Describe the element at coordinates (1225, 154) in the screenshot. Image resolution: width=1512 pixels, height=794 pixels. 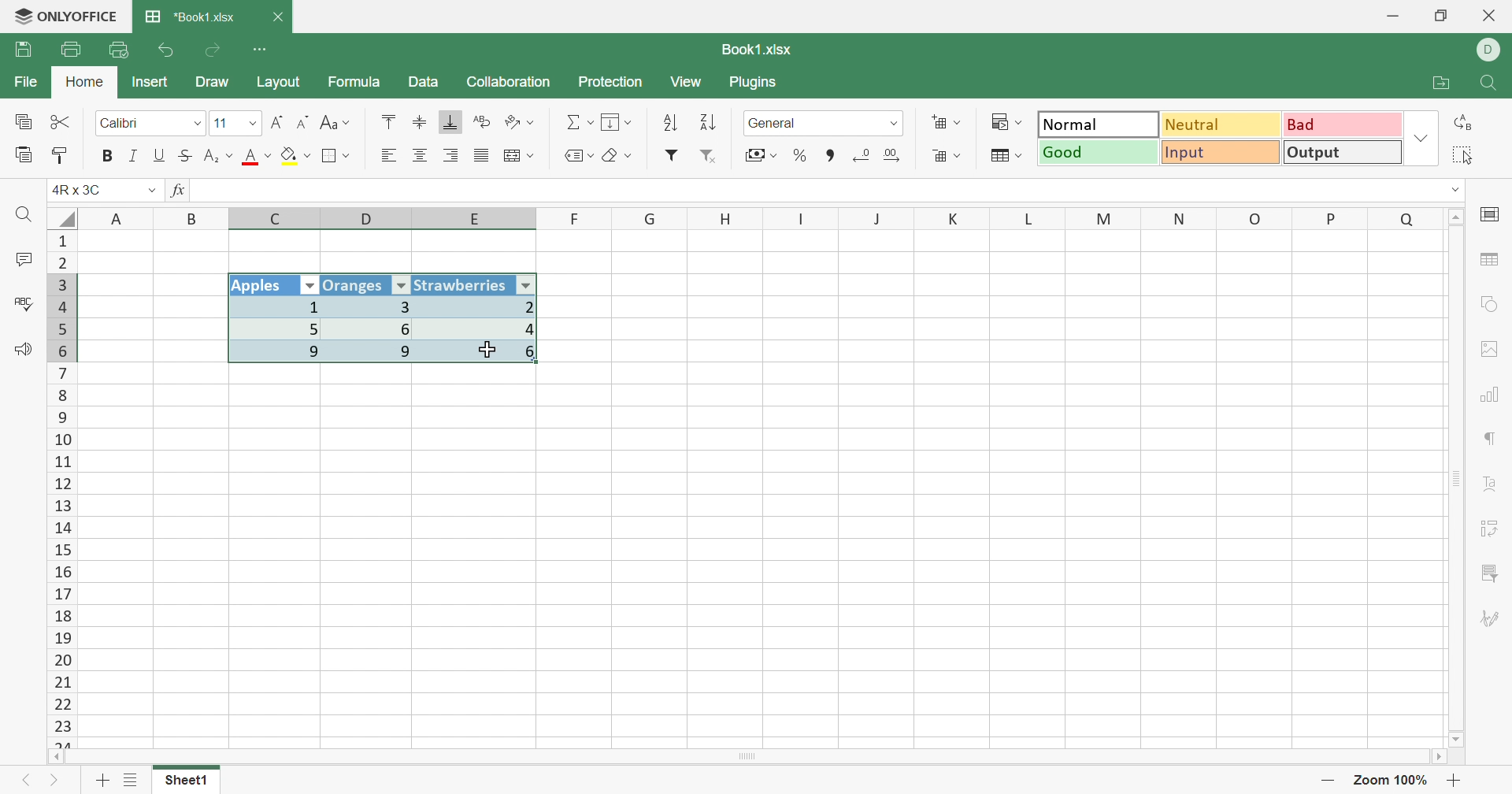
I see `Input` at that location.